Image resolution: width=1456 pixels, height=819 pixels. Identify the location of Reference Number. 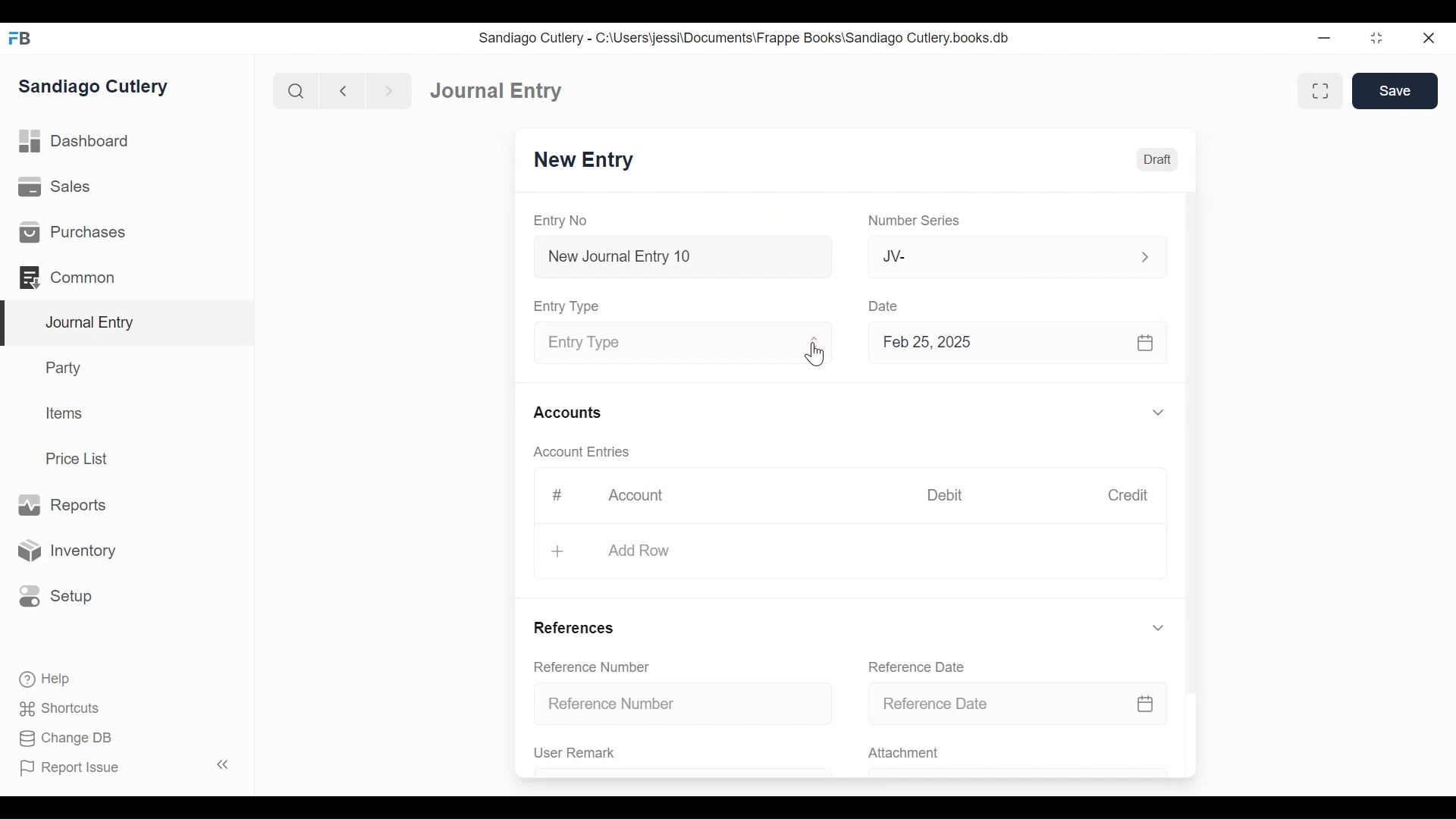
(595, 668).